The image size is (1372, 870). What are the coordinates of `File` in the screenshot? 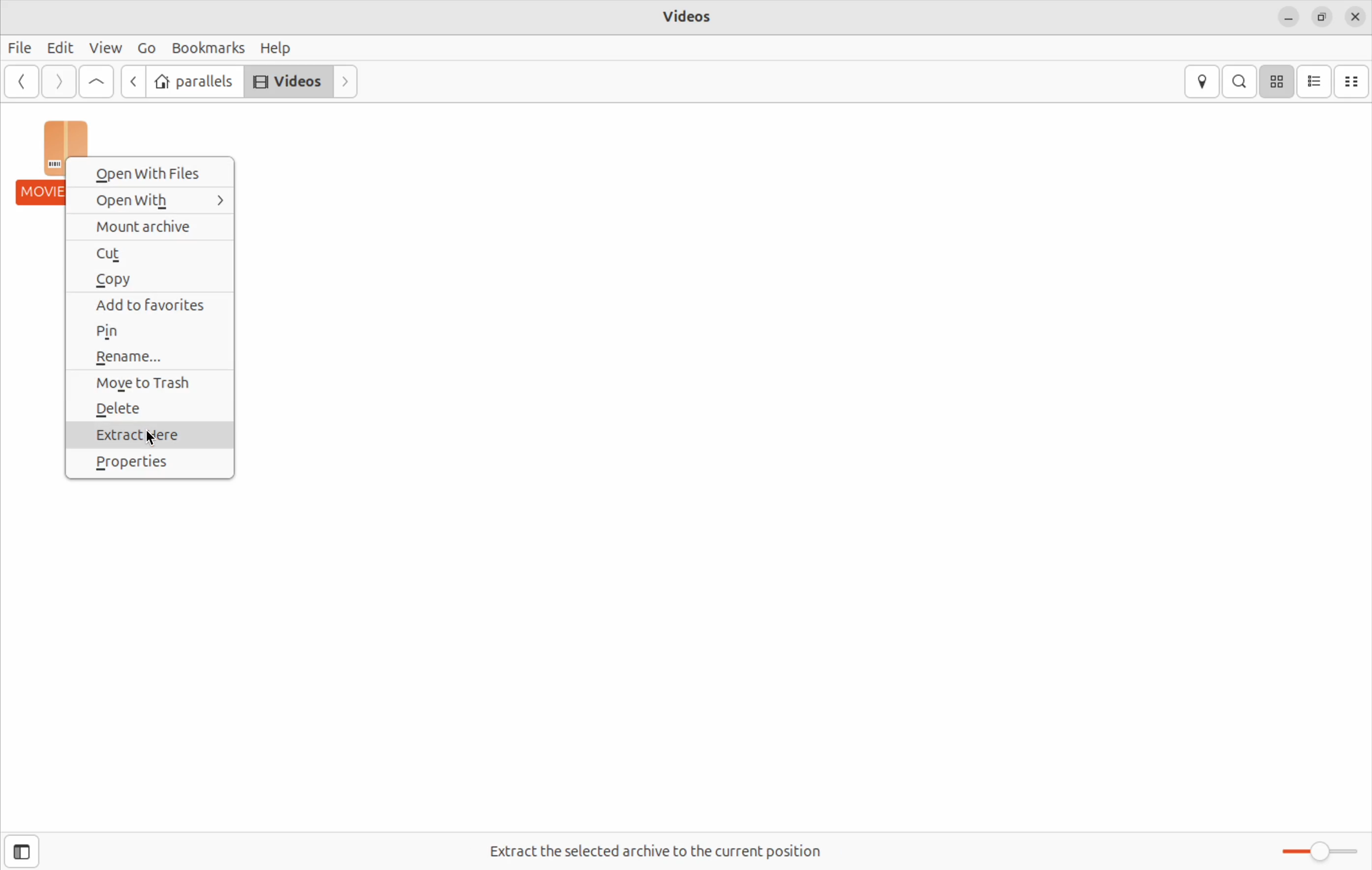 It's located at (20, 48).